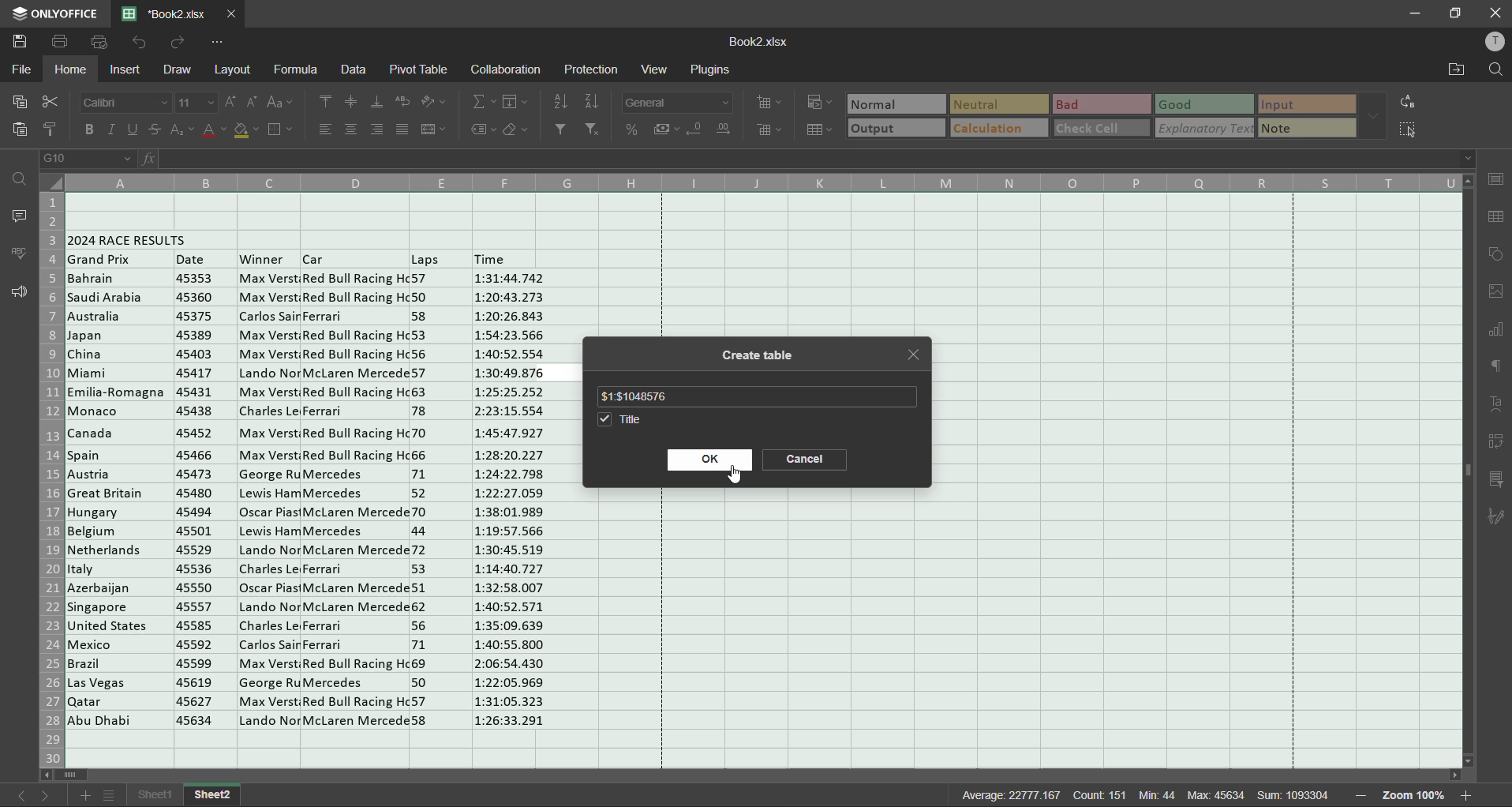 The height and width of the screenshot is (807, 1512). I want to click on minimize, so click(1415, 14).